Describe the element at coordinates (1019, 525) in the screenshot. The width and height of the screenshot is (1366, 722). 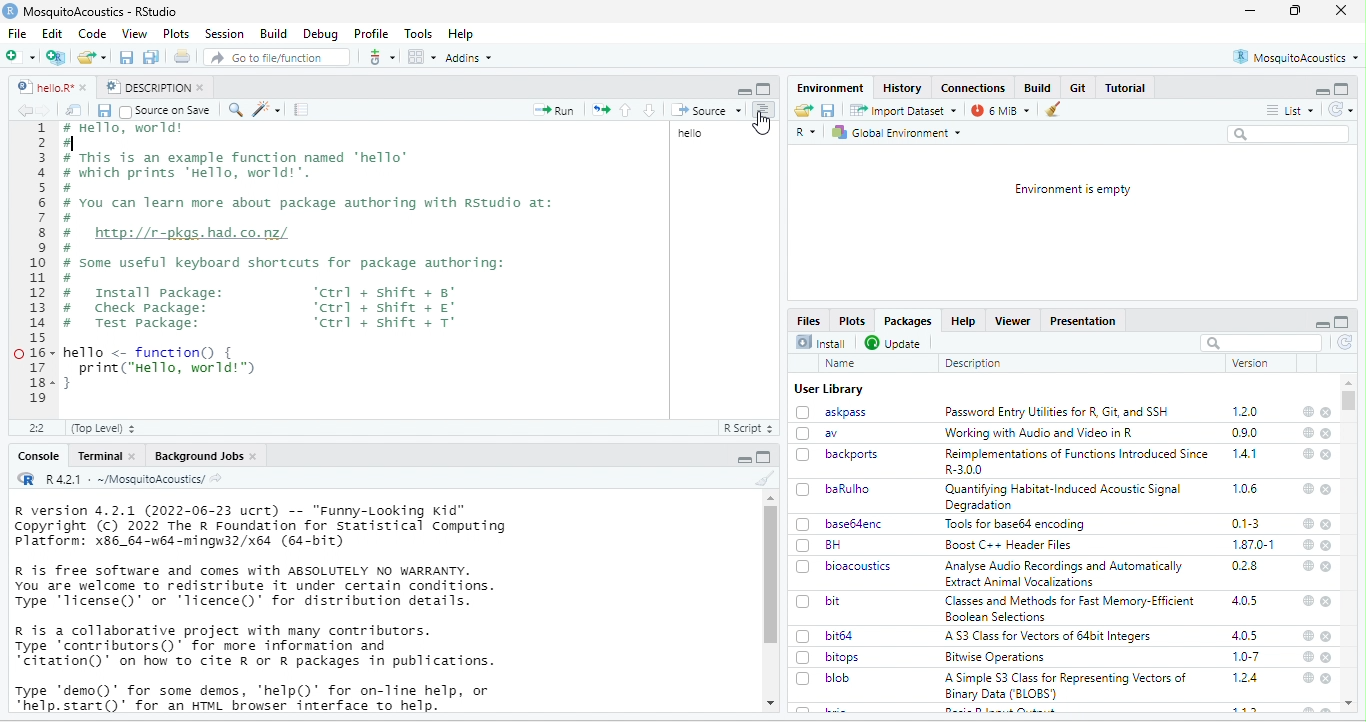
I see `Tools for base64 encoding` at that location.